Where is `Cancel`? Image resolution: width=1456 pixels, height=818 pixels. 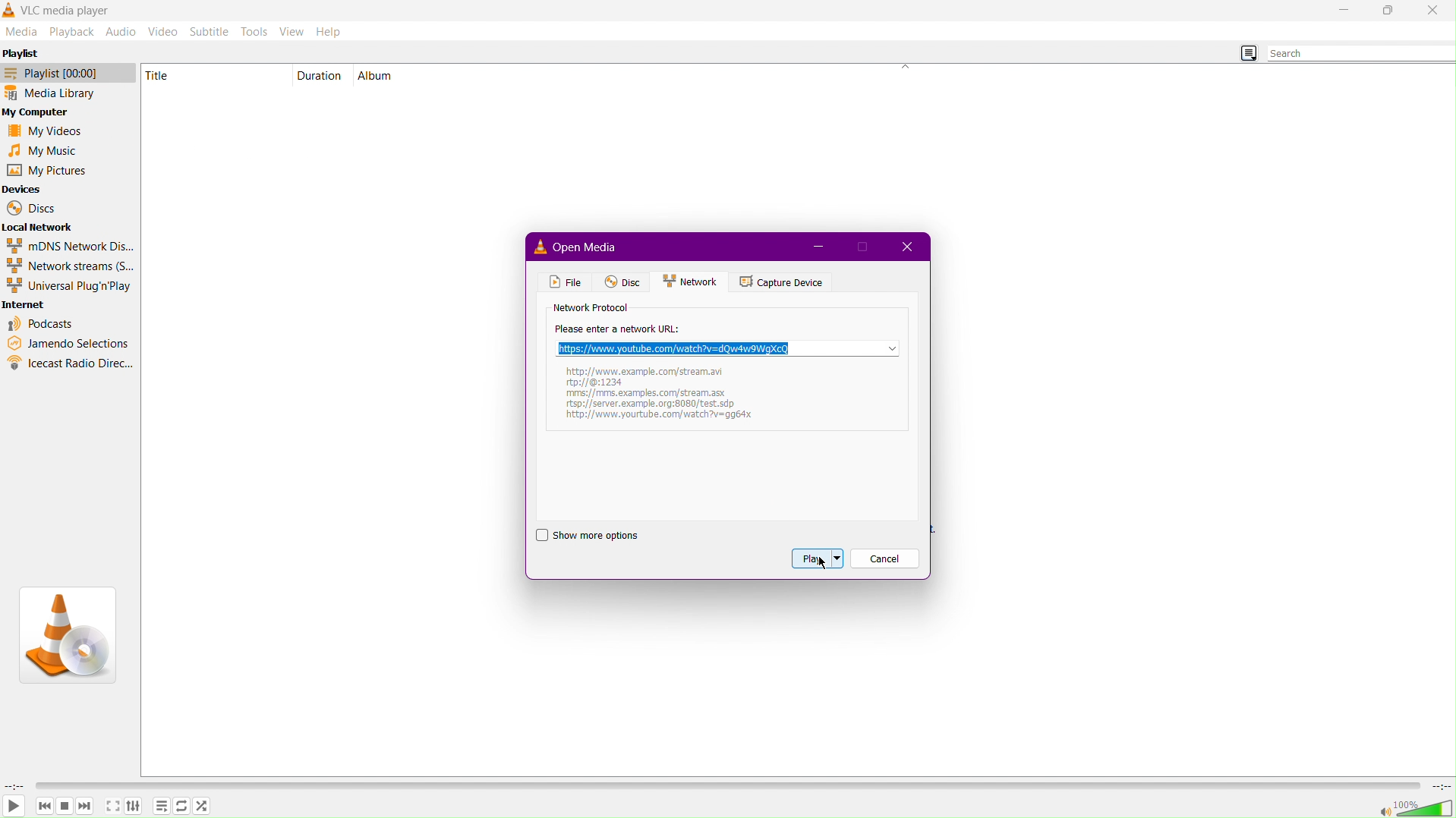 Cancel is located at coordinates (886, 558).